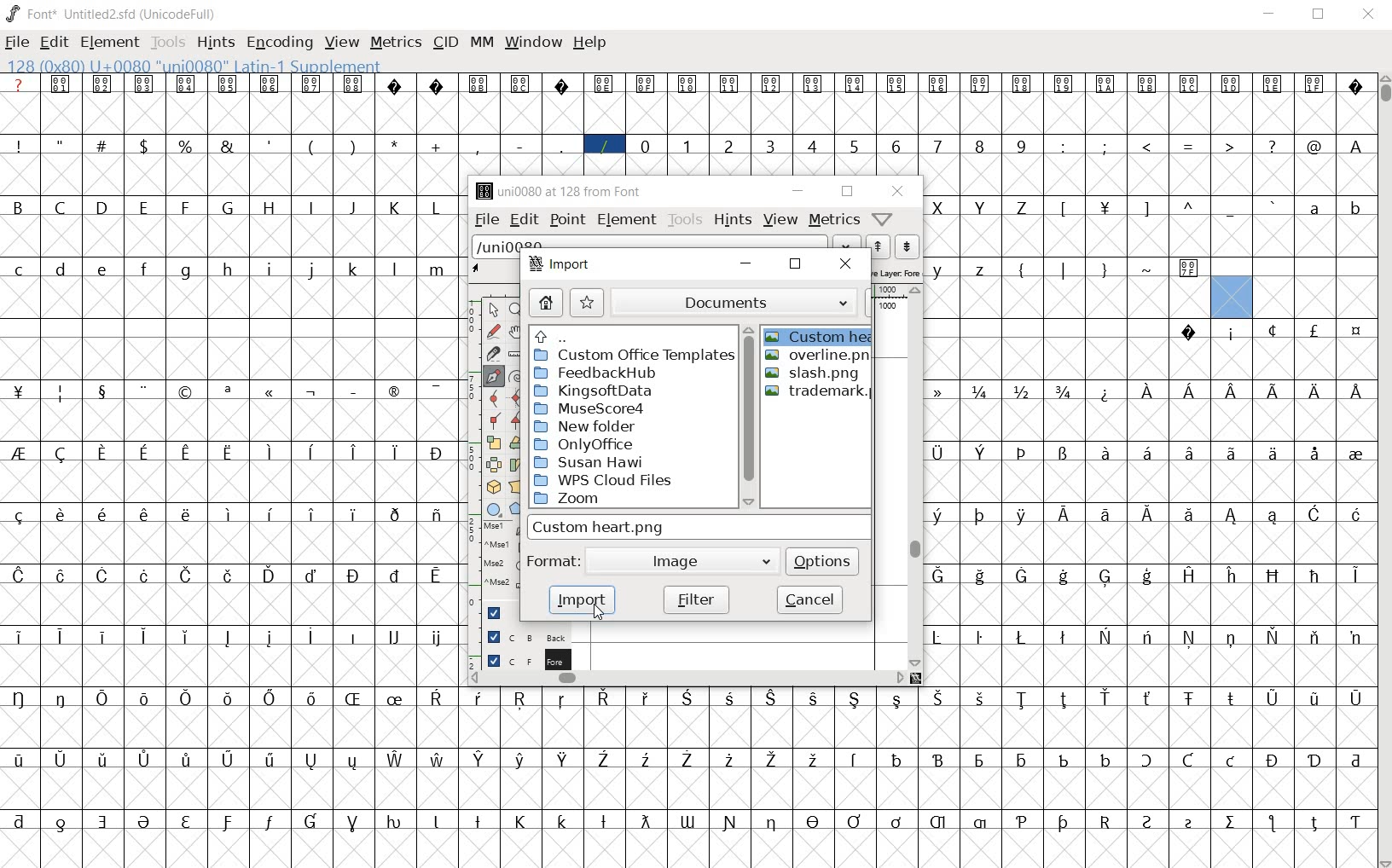 This screenshot has width=1392, height=868. What do you see at coordinates (445, 43) in the screenshot?
I see `CID` at bounding box center [445, 43].